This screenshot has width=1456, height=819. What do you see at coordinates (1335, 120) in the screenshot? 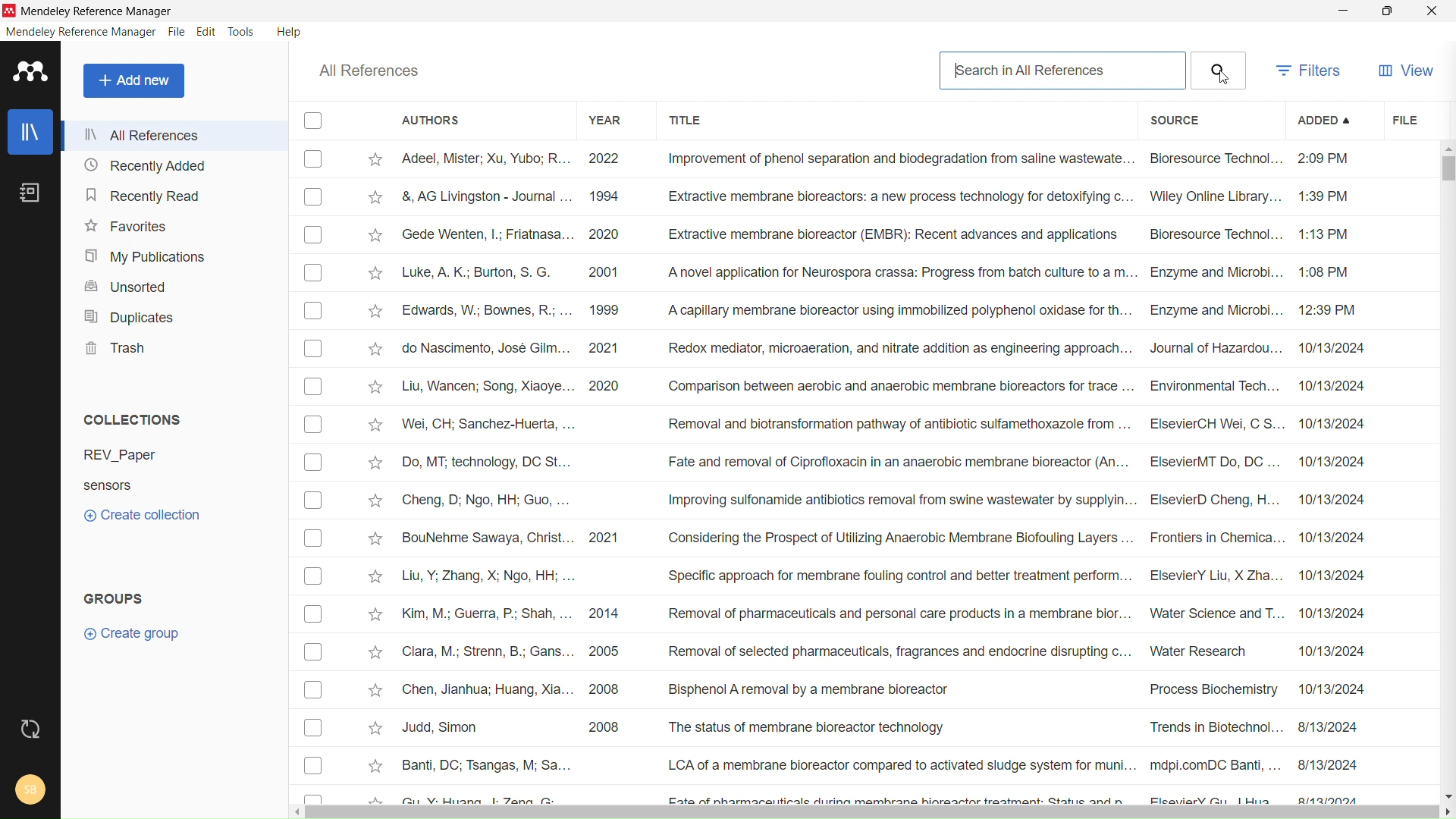
I see `added` at bounding box center [1335, 120].